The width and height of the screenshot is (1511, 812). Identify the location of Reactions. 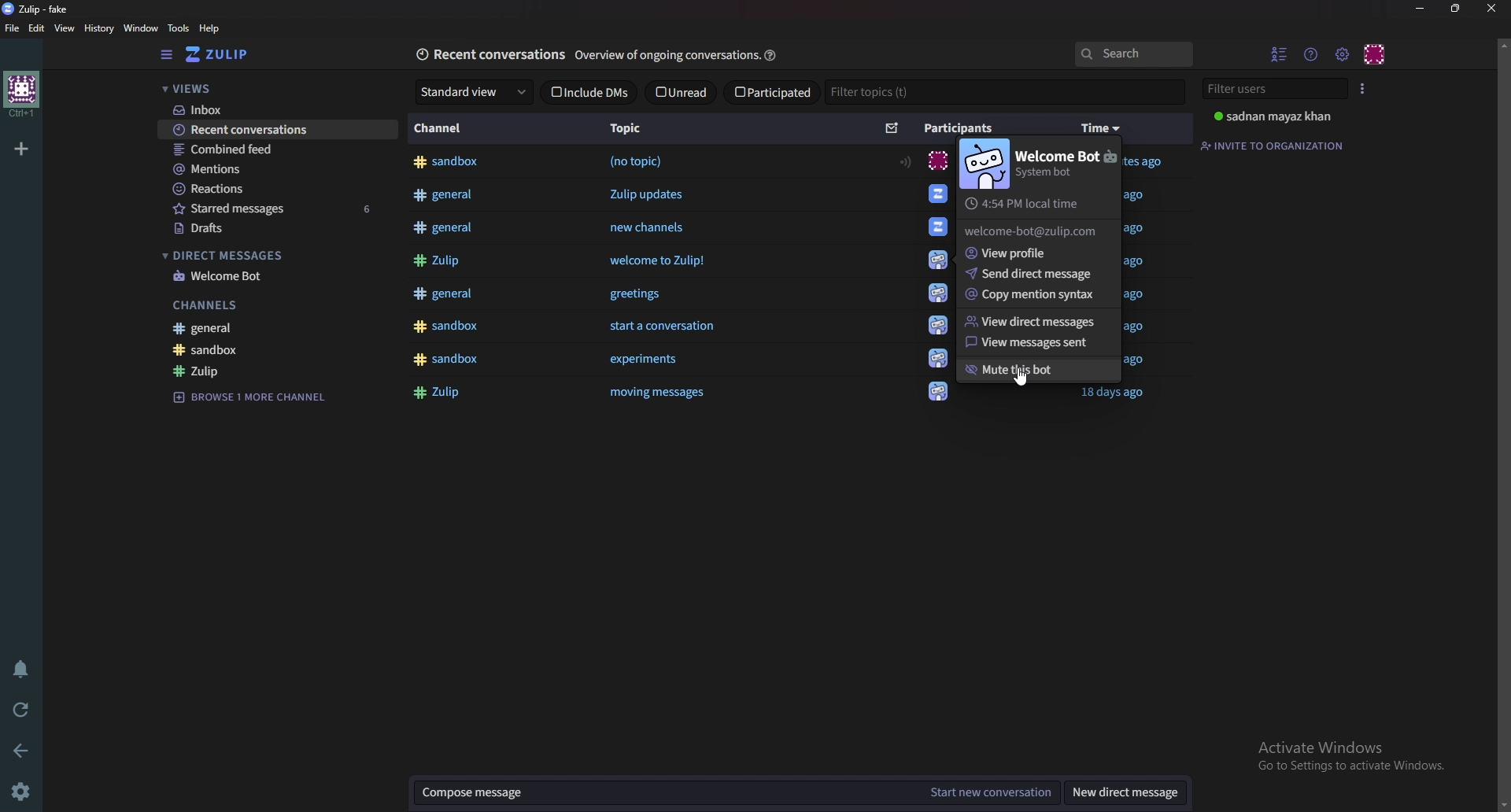
(284, 187).